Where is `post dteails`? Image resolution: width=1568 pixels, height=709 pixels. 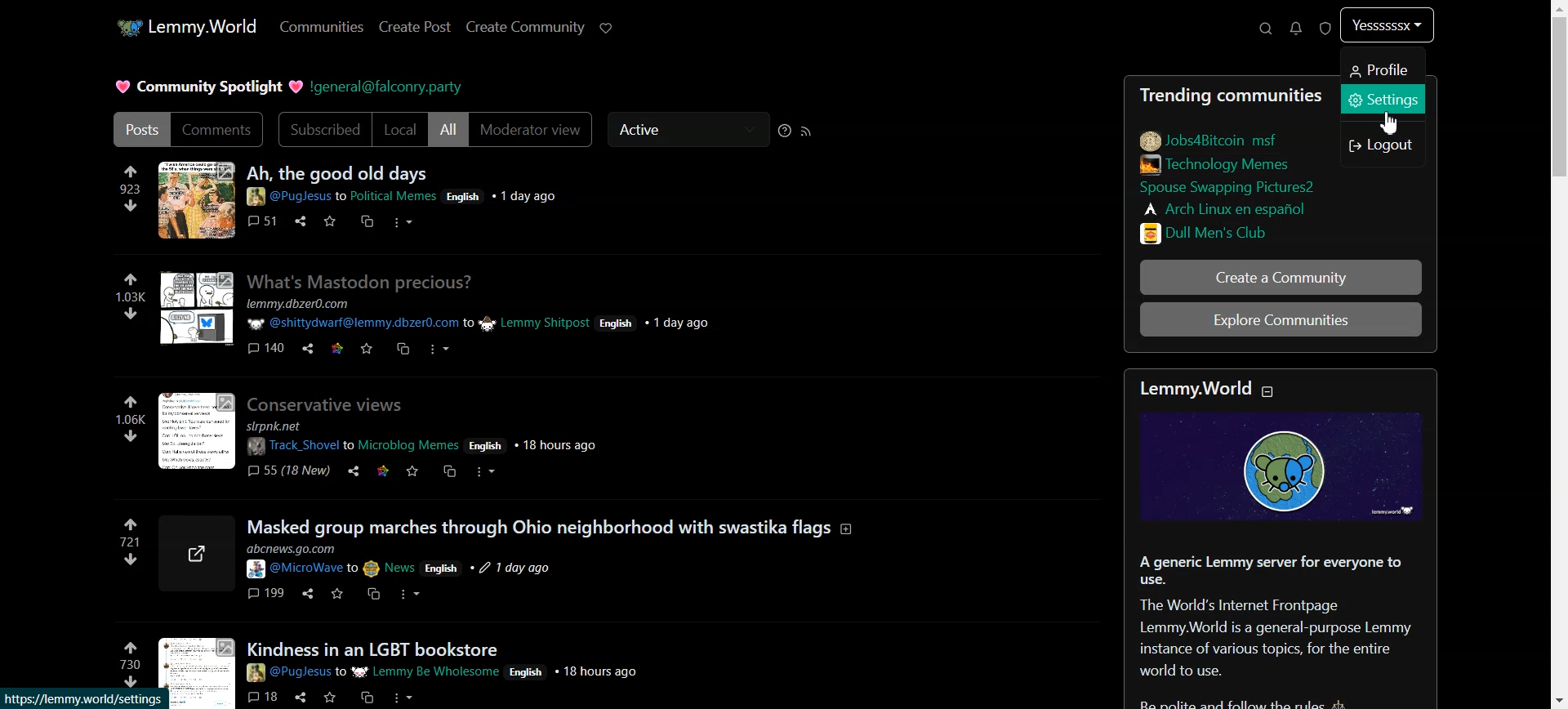 post dteails is located at coordinates (417, 560).